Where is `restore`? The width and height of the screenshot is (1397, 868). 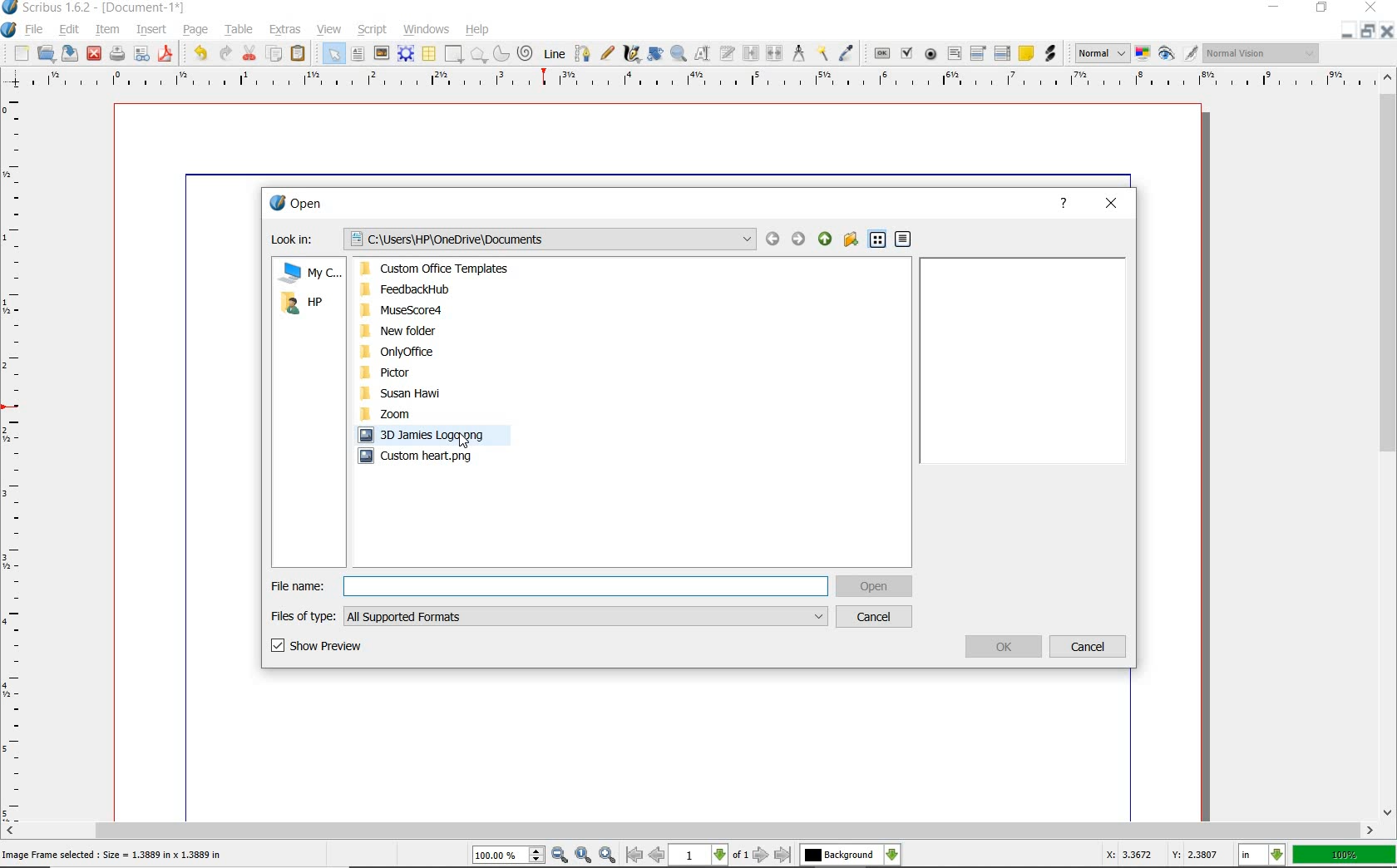
restore is located at coordinates (1324, 8).